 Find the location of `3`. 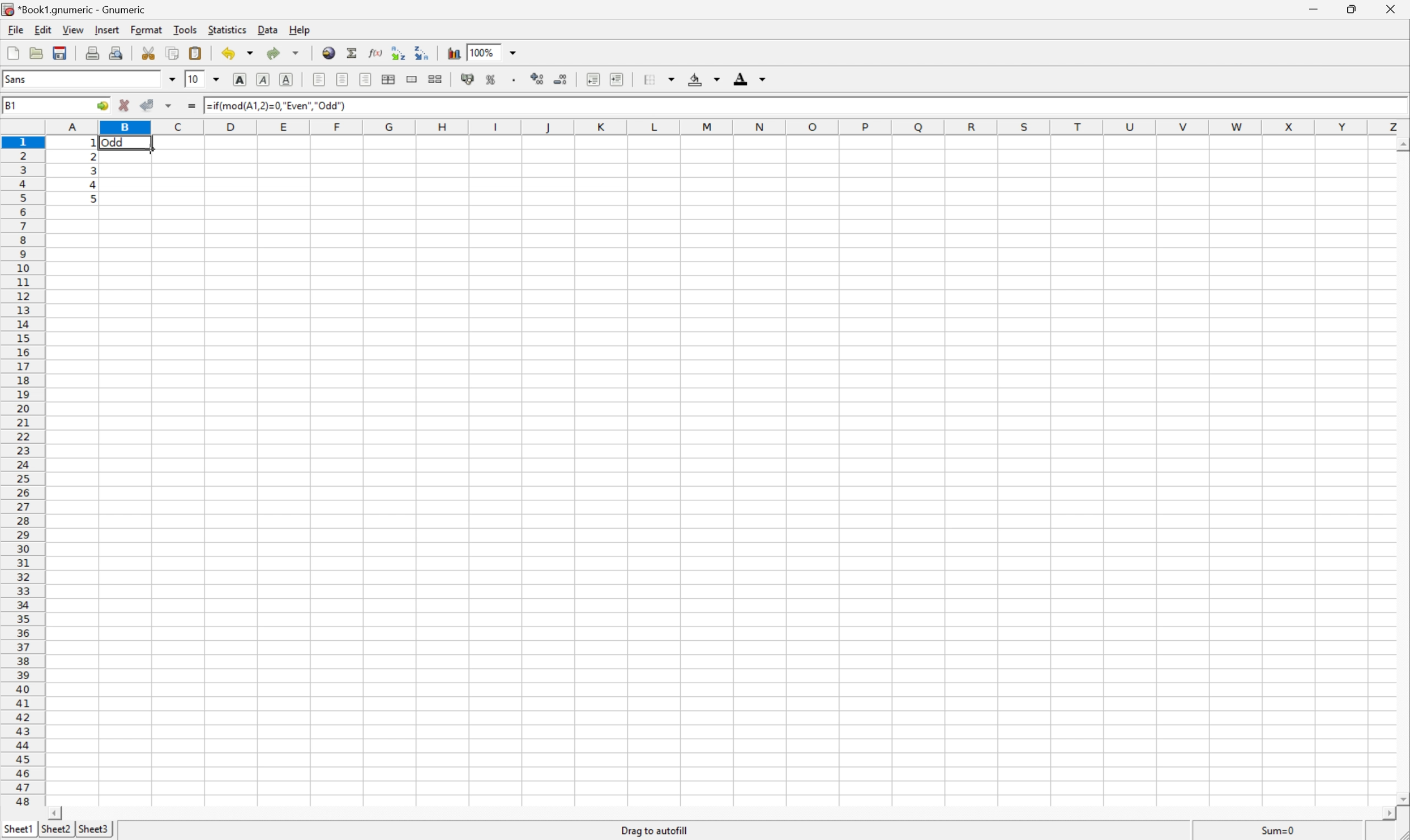

3 is located at coordinates (93, 170).